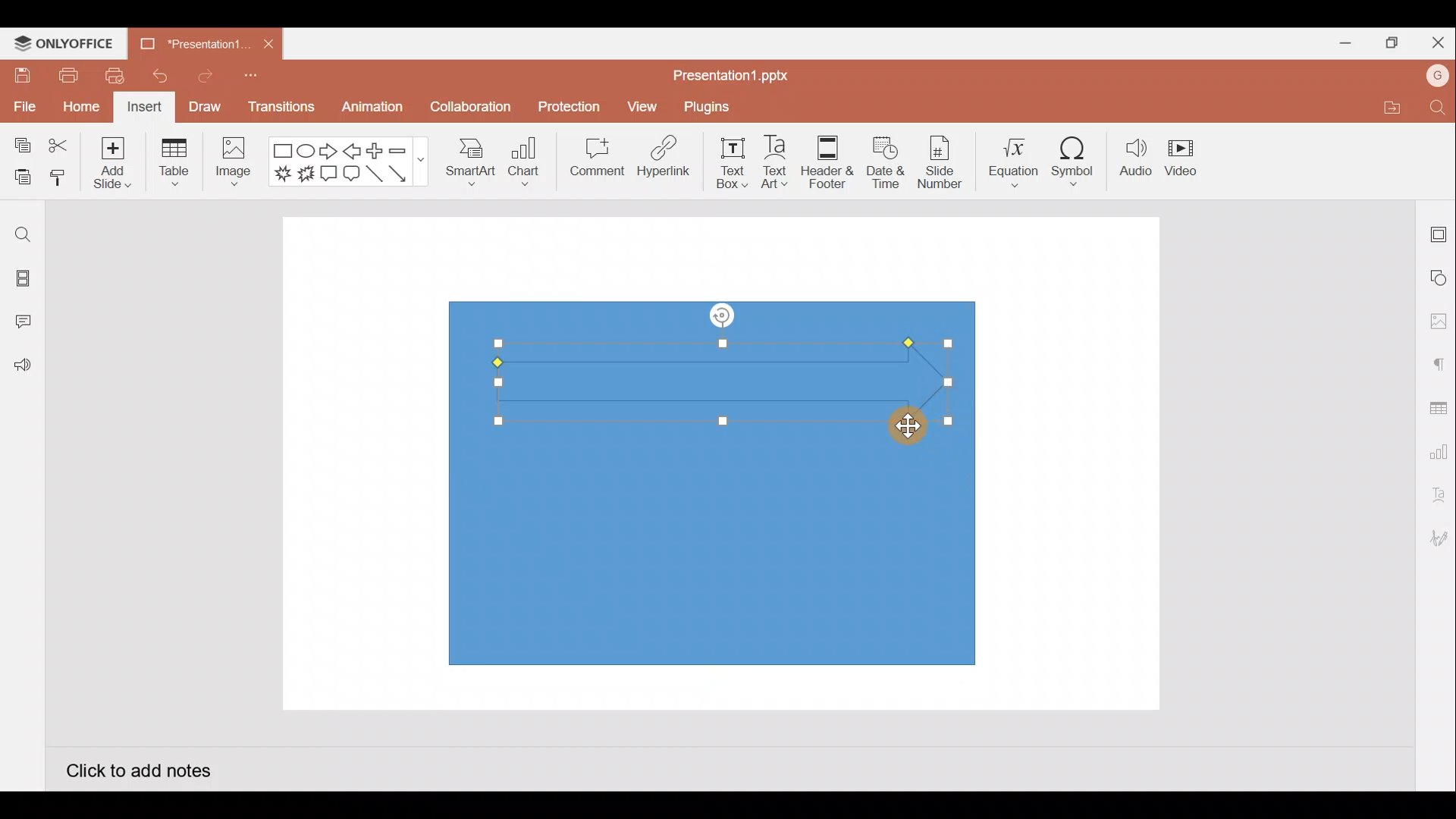 This screenshot has width=1456, height=819. What do you see at coordinates (351, 171) in the screenshot?
I see `Rounded Rectangular callout` at bounding box center [351, 171].